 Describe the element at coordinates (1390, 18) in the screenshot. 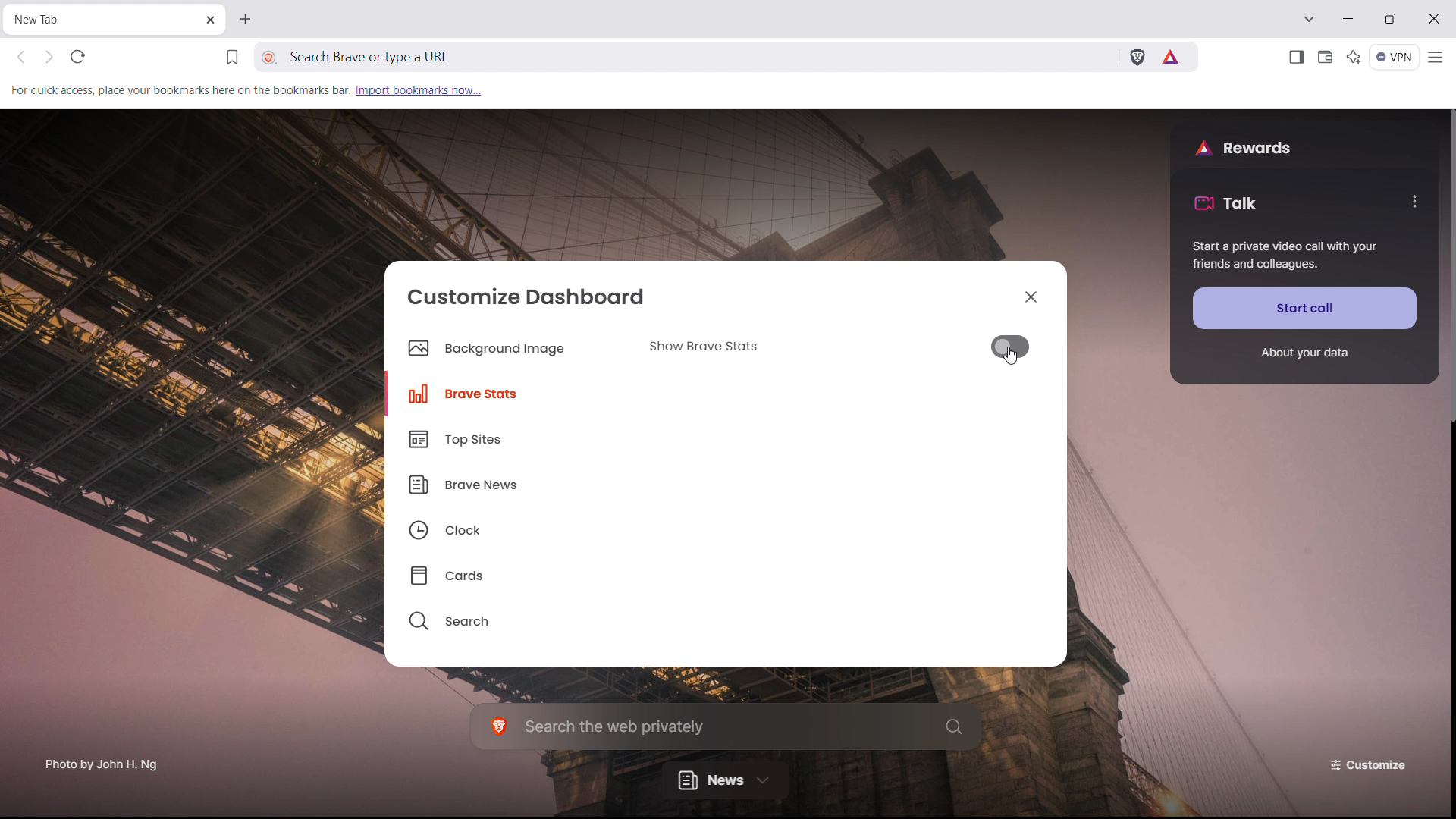

I see `maximize` at that location.